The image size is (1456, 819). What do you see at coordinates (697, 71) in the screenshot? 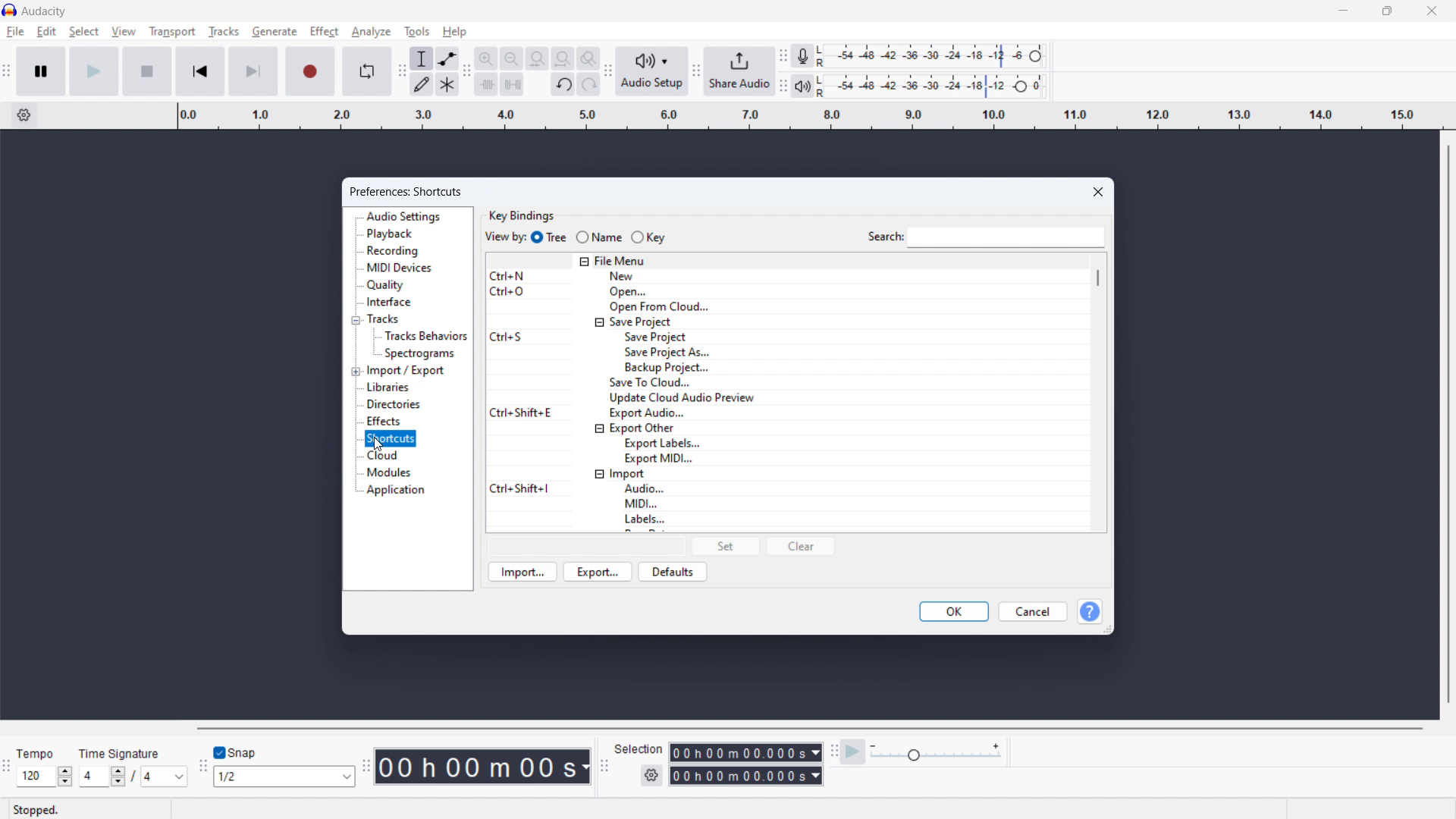
I see `Enabales movement of share audio toolbar` at bounding box center [697, 71].